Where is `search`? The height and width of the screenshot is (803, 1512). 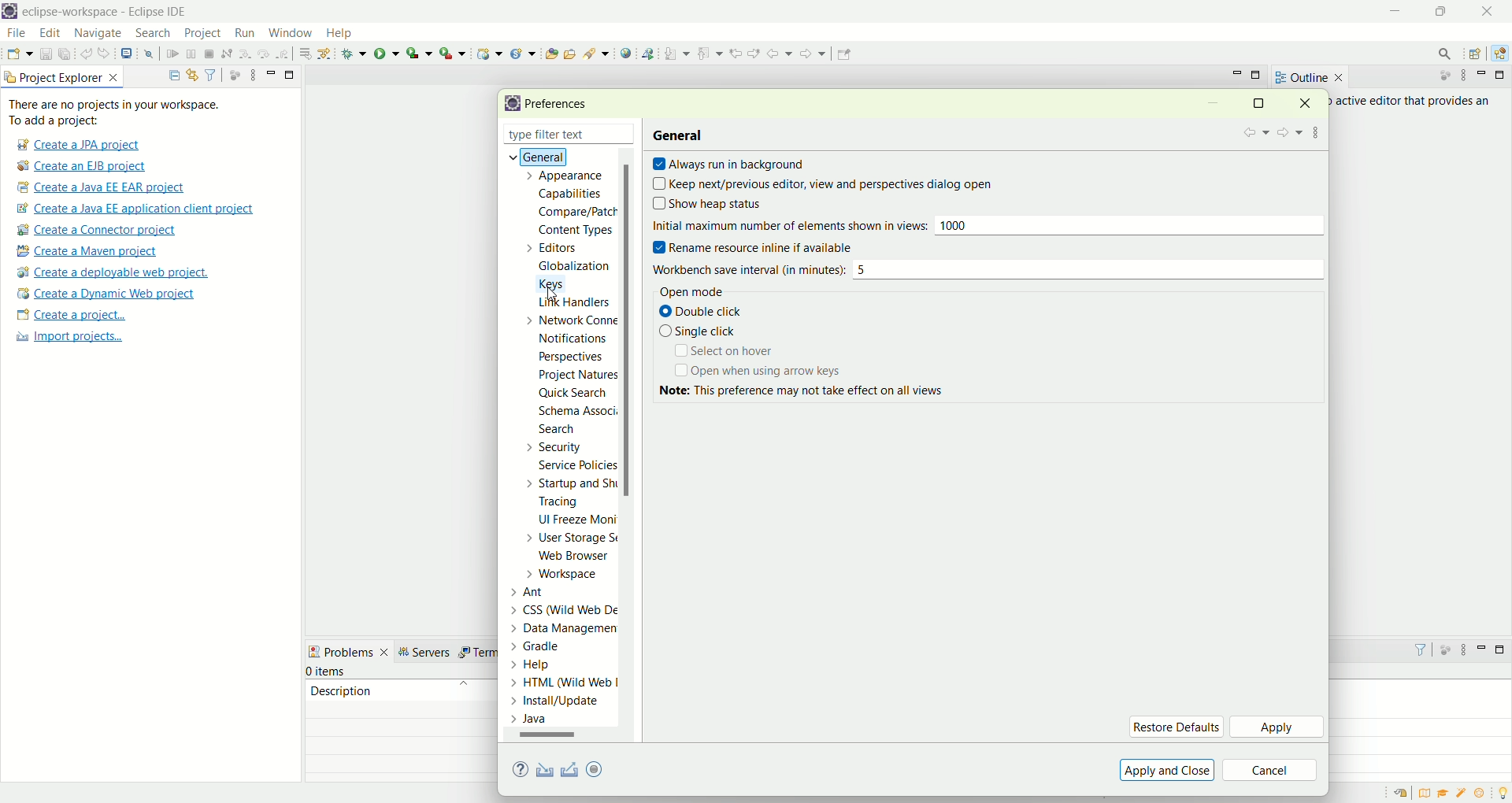 search is located at coordinates (557, 431).